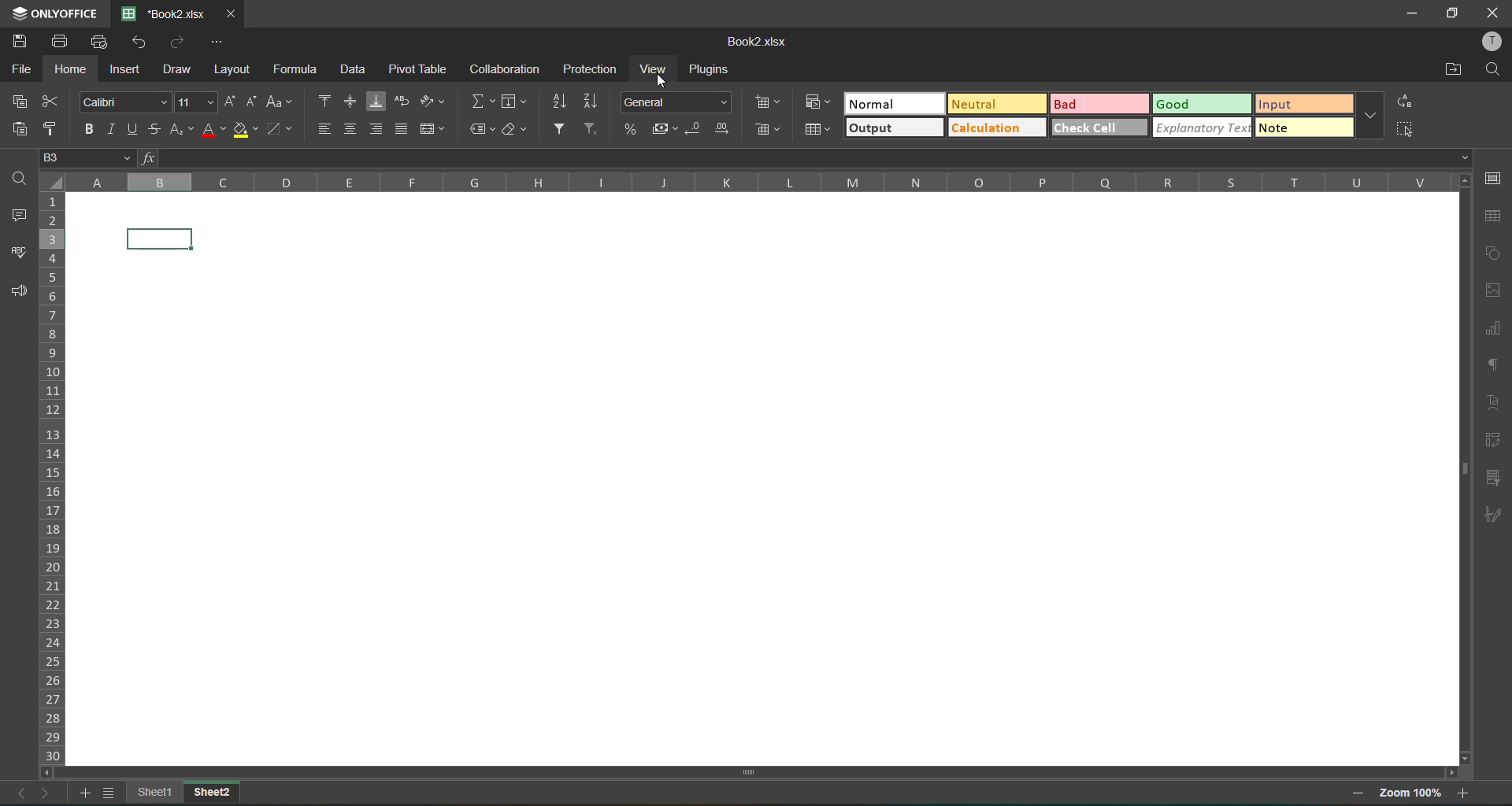 The height and width of the screenshot is (806, 1512). Describe the element at coordinates (724, 128) in the screenshot. I see `increase decimal` at that location.